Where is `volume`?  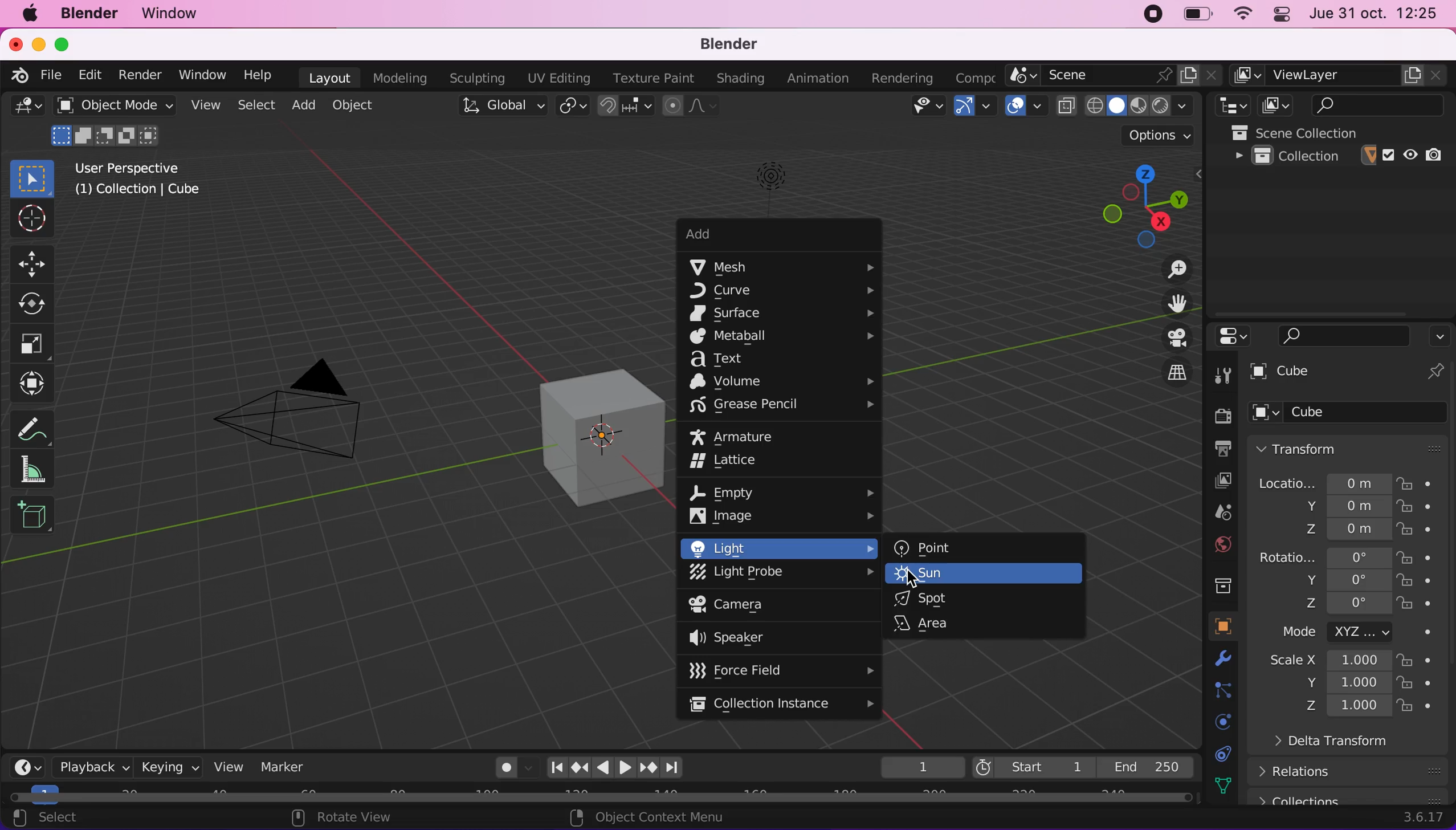
volume is located at coordinates (780, 381).